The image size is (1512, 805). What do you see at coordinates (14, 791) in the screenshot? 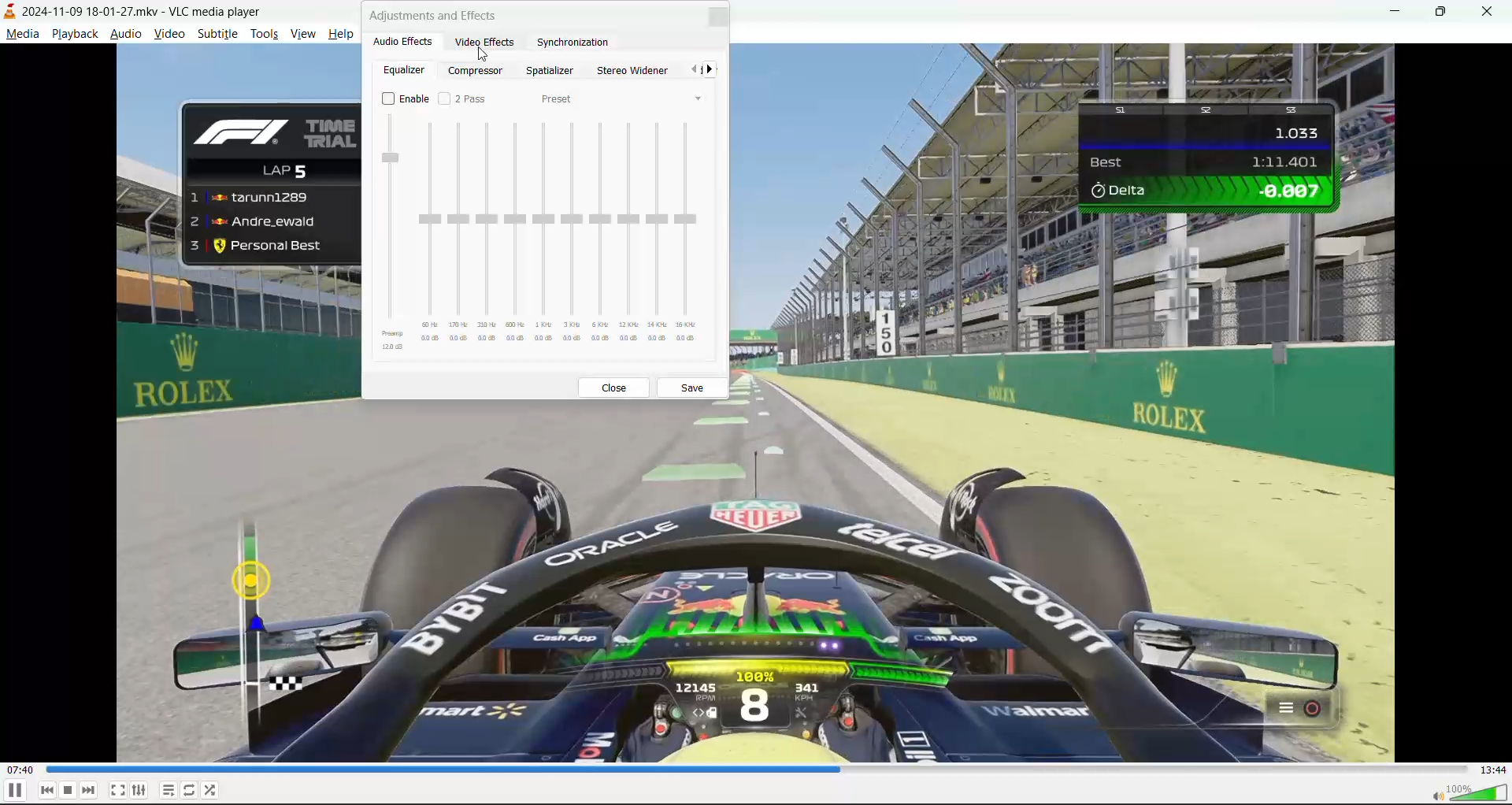
I see `pause` at bounding box center [14, 791].